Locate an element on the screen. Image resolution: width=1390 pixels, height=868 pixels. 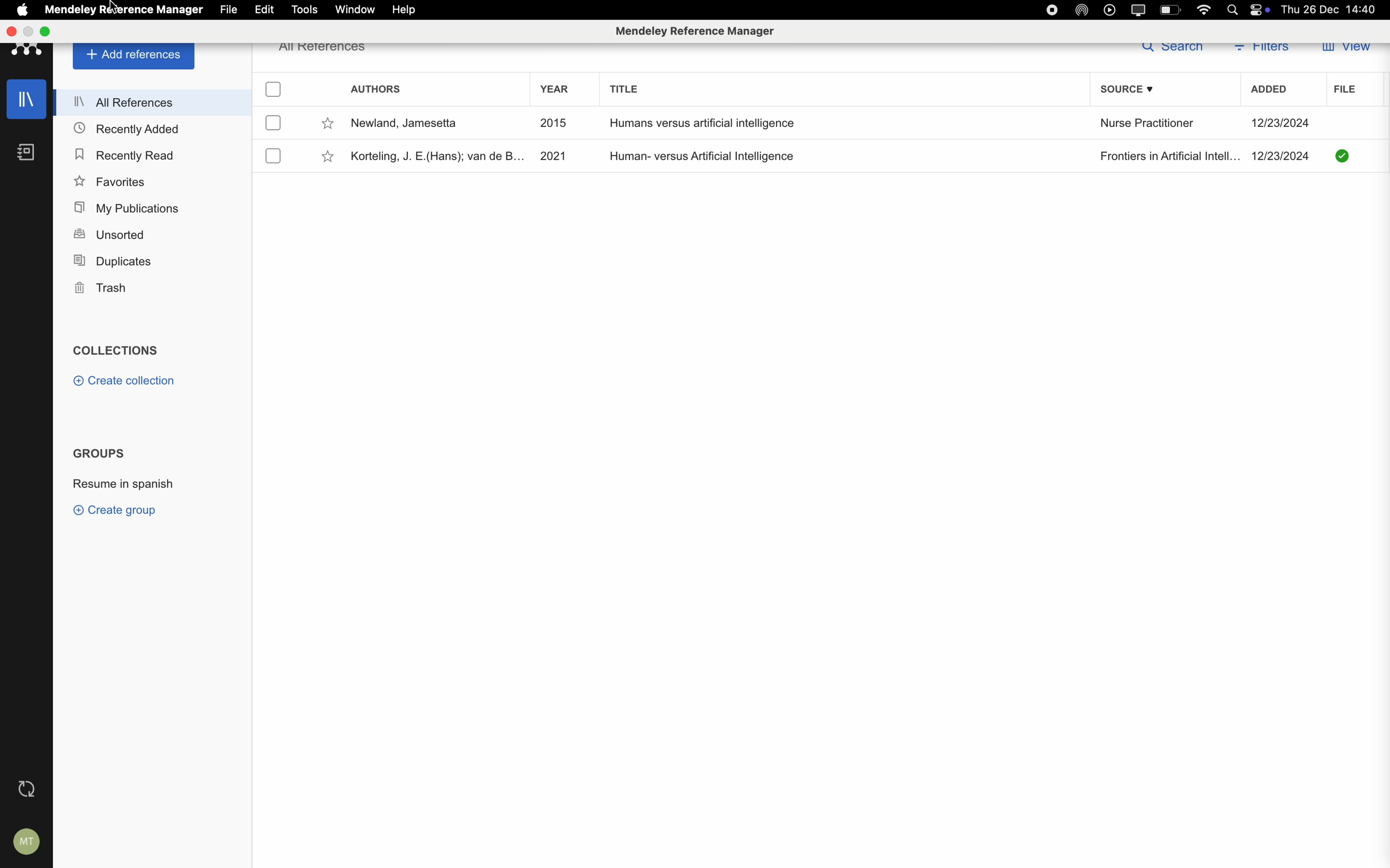
Humans versus artificial intelligence is located at coordinates (700, 123).